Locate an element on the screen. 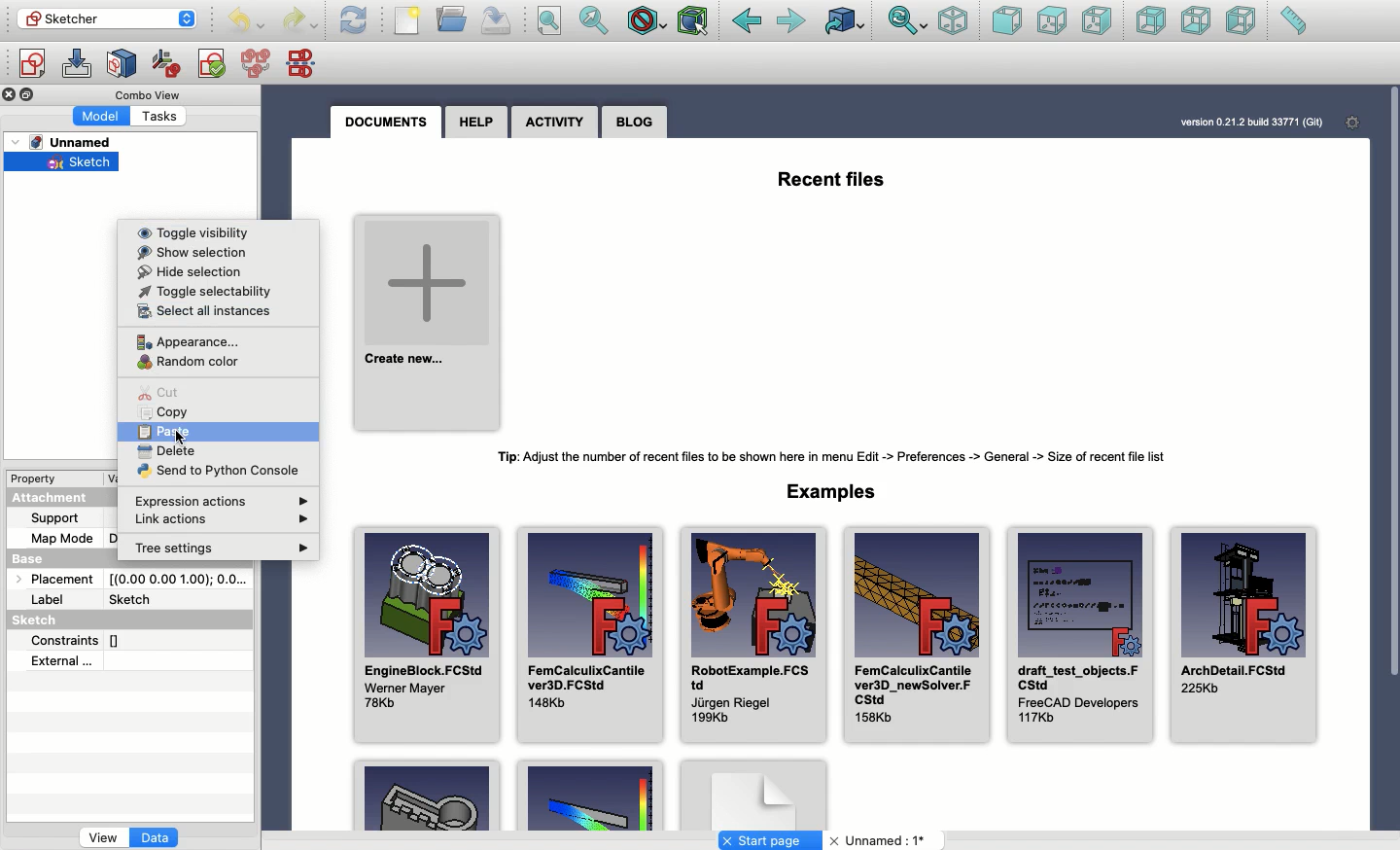  Sketch is located at coordinates (42, 621).